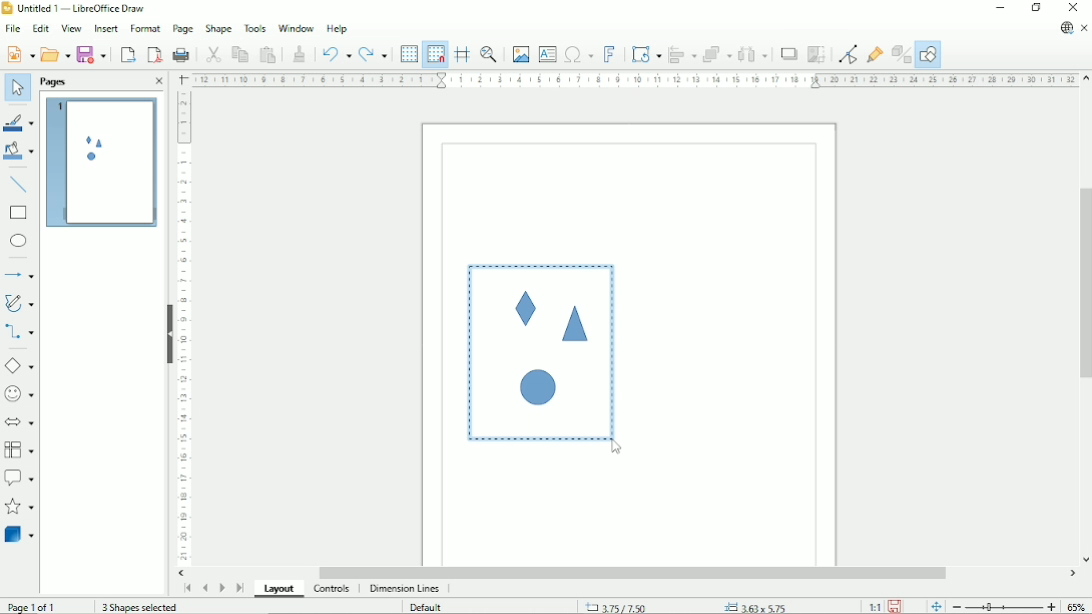  I want to click on Export directly as PDF, so click(154, 54).